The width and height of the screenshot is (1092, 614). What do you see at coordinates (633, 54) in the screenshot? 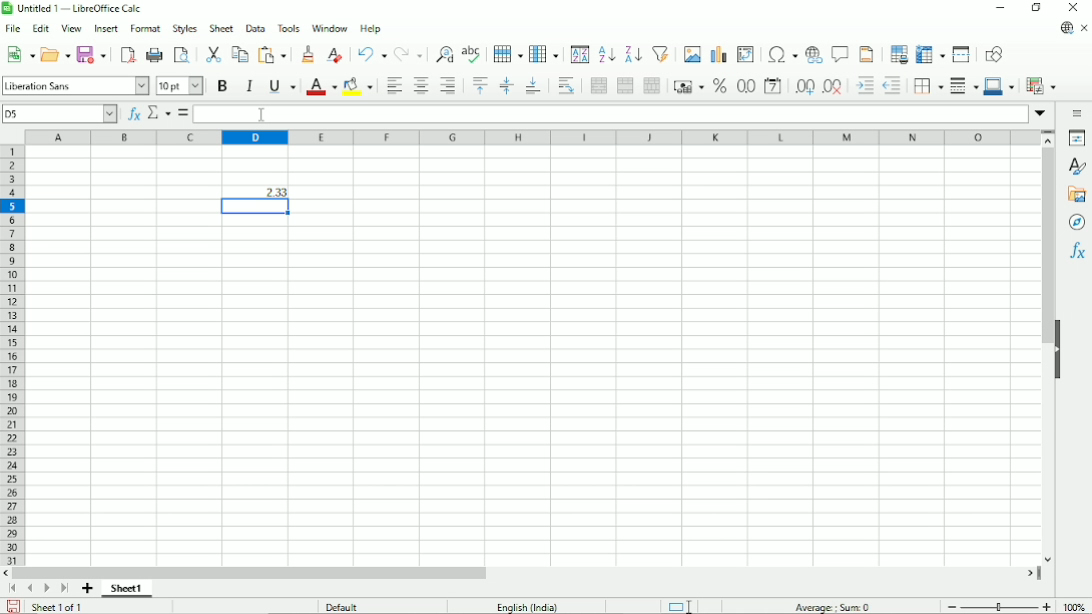
I see `Sort descending` at bounding box center [633, 54].